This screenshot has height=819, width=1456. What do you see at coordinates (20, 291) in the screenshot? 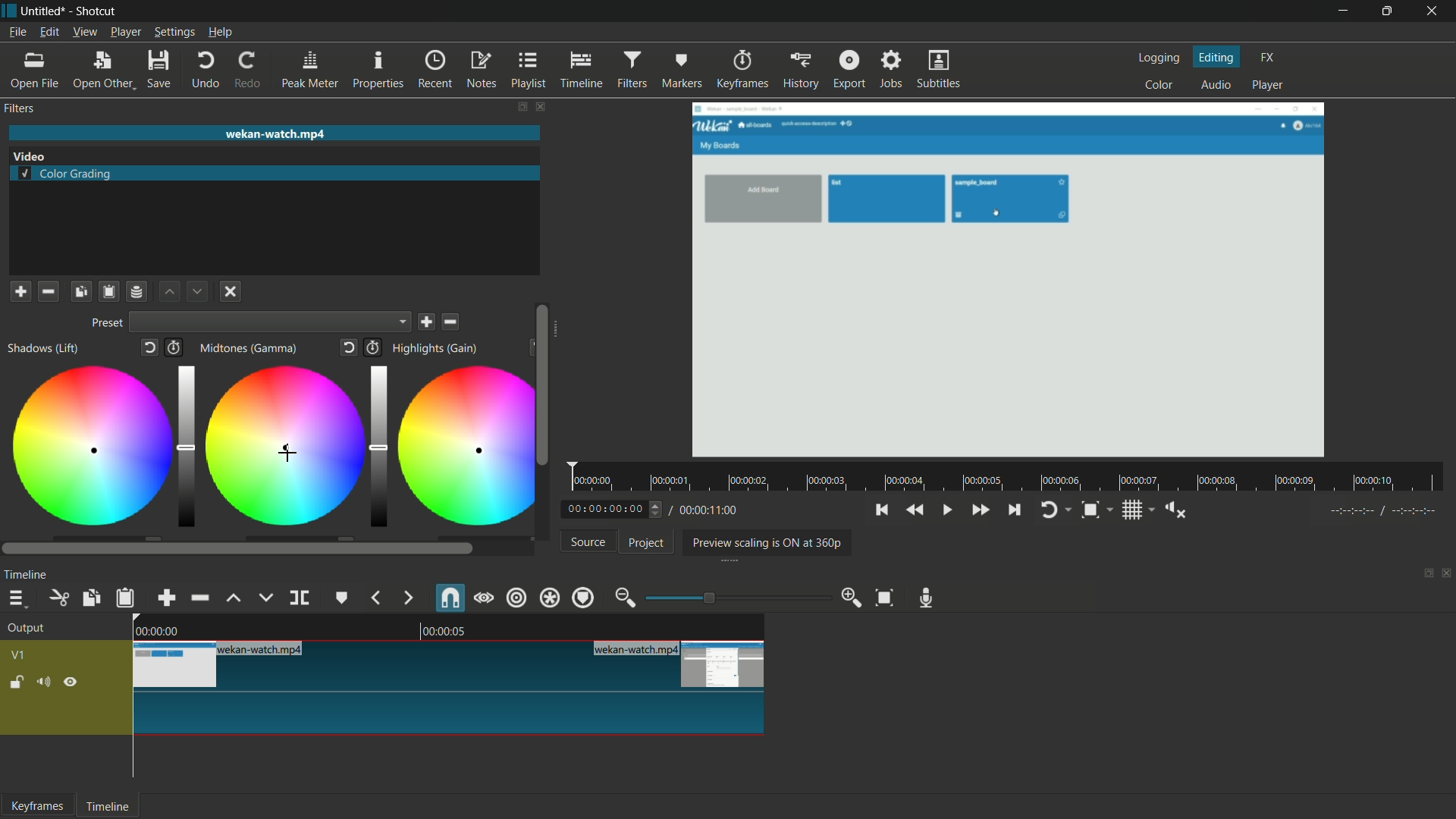
I see `add a filter` at bounding box center [20, 291].